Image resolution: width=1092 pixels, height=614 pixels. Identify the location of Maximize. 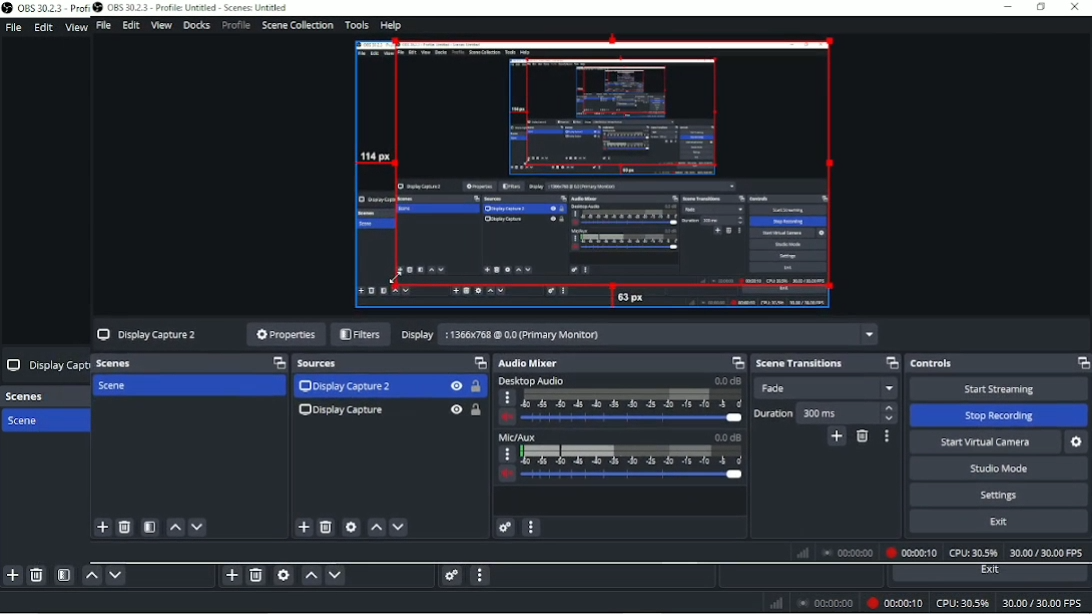
(479, 363).